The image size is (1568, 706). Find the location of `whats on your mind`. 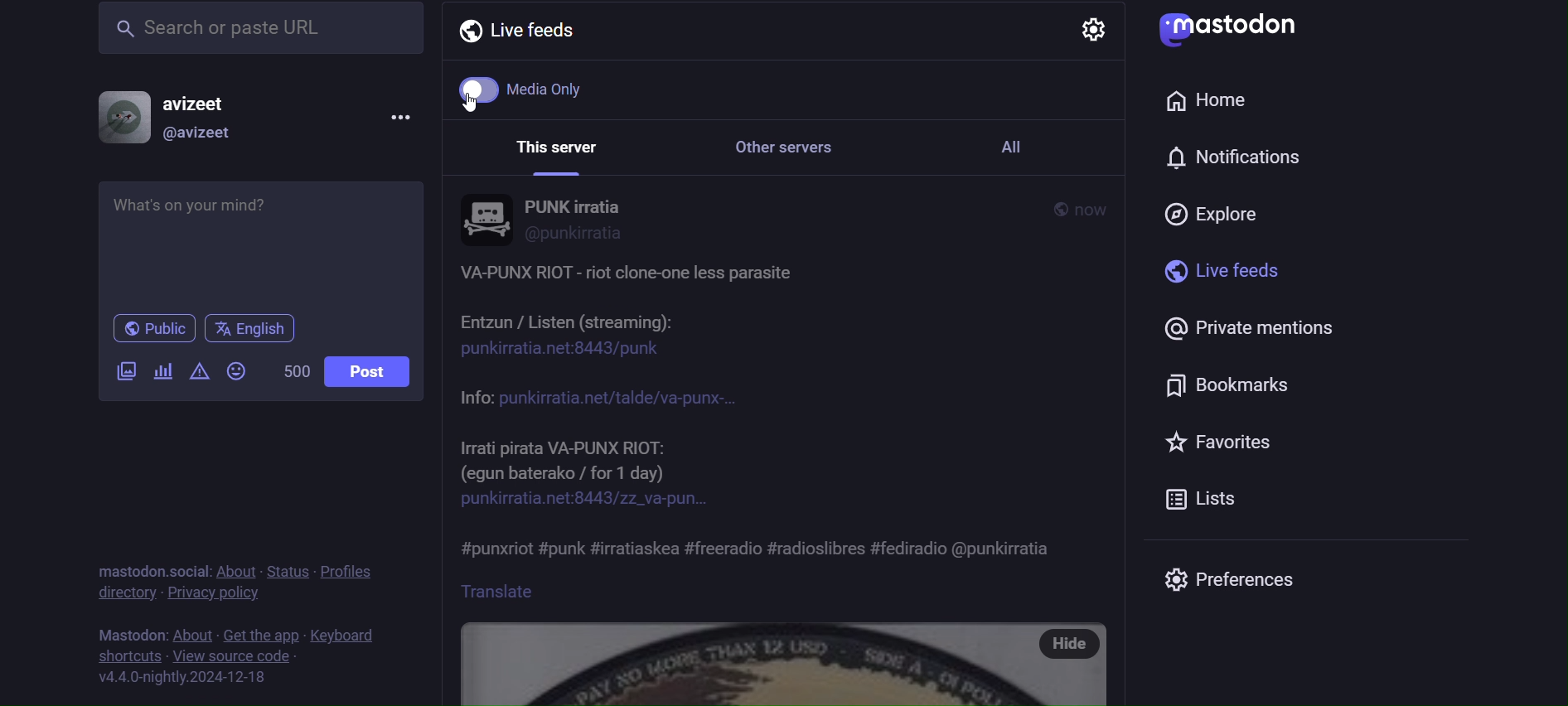

whats on your mind is located at coordinates (263, 239).